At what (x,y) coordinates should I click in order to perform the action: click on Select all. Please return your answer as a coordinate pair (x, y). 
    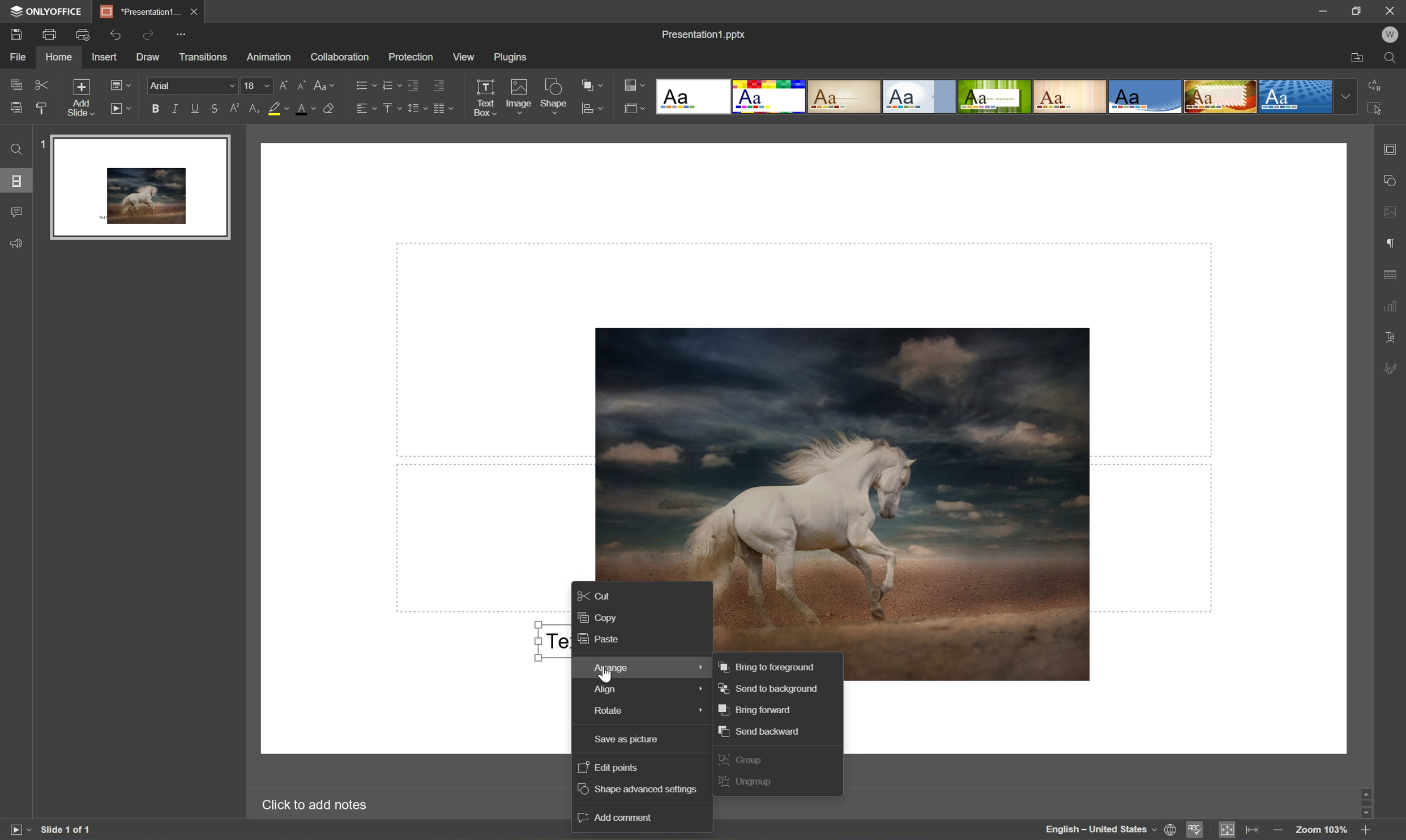
    Looking at the image, I should click on (1376, 106).